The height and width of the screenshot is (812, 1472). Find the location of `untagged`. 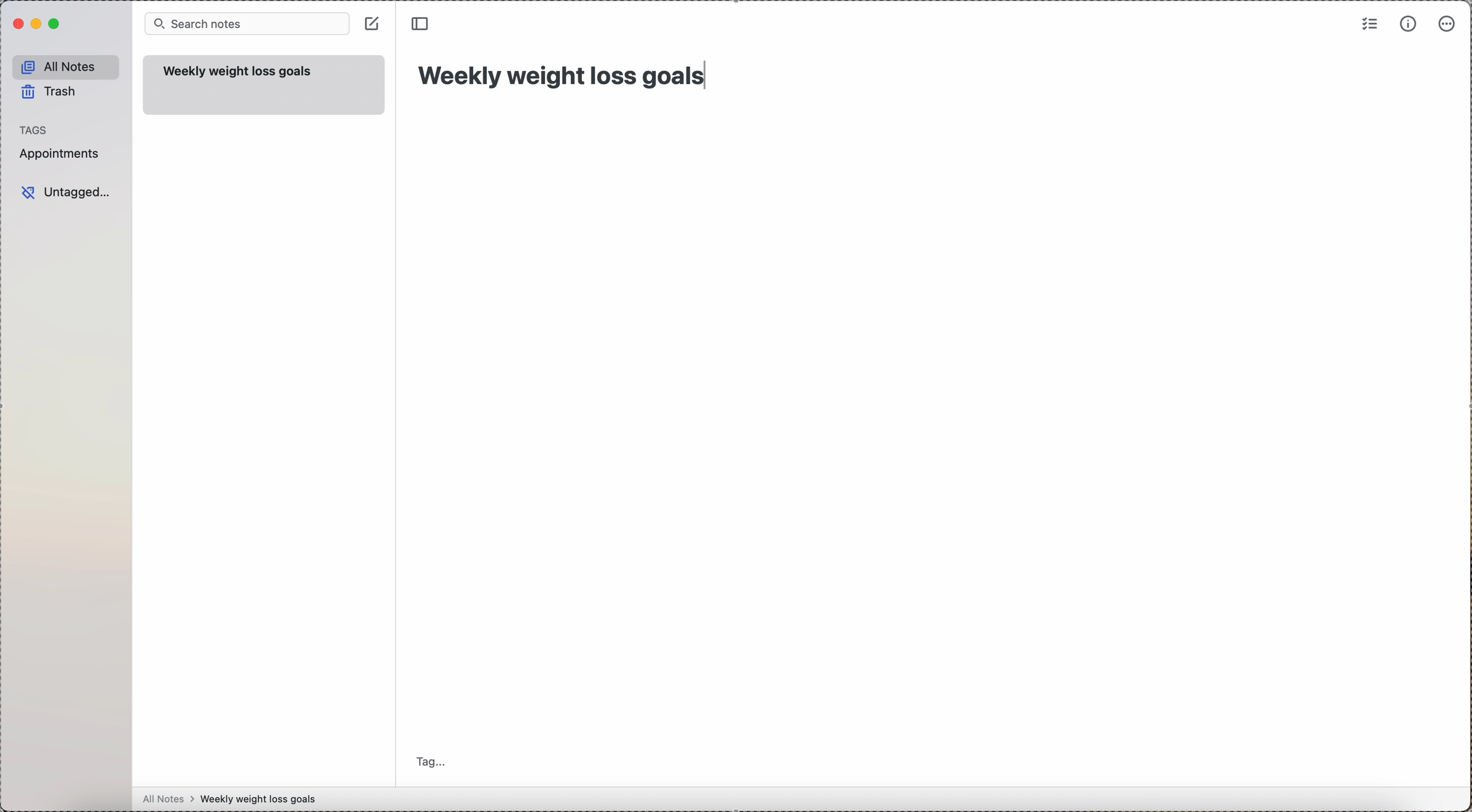

untagged is located at coordinates (68, 191).